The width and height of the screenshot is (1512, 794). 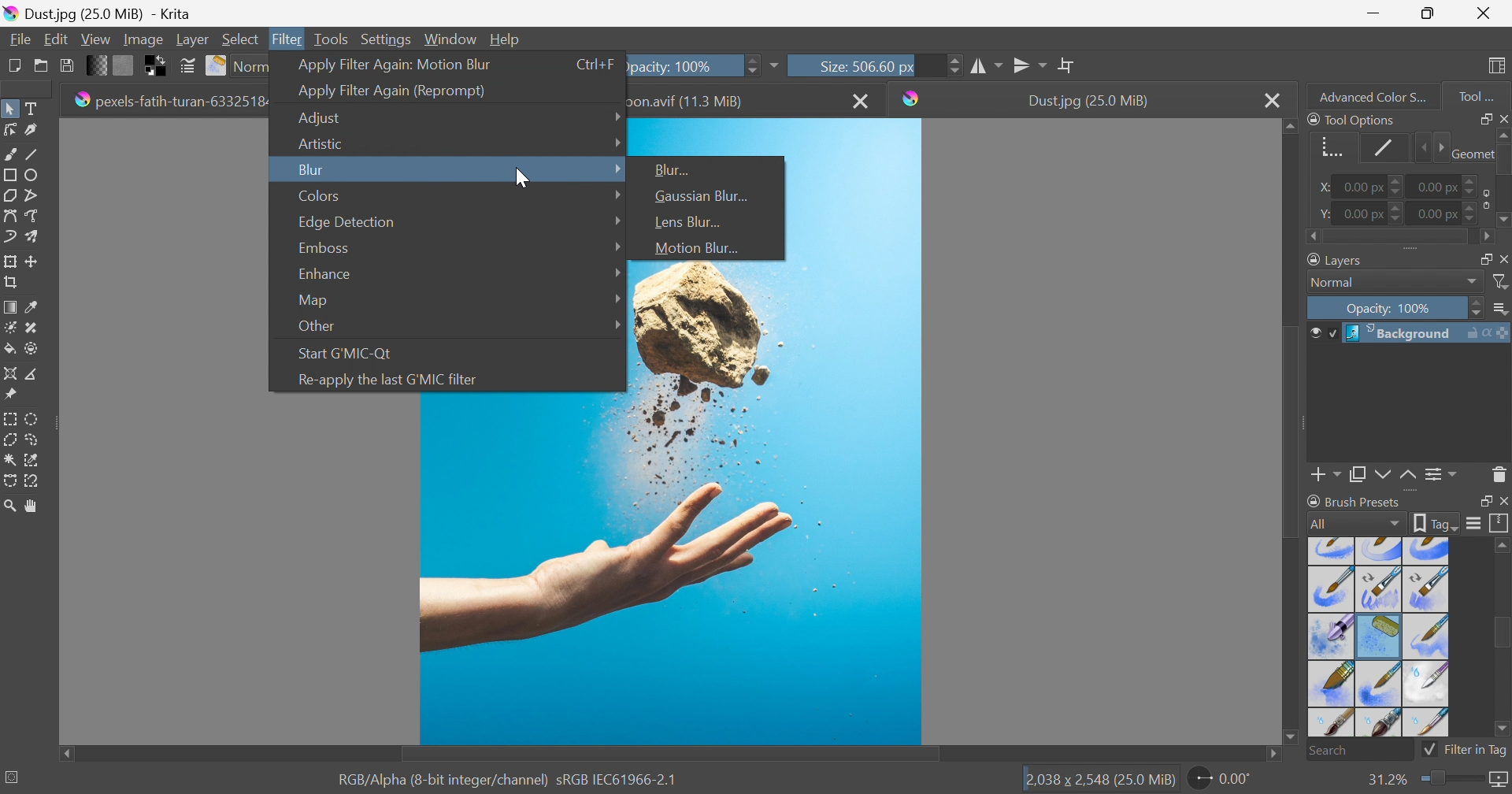 I want to click on Slider, so click(x=1399, y=238).